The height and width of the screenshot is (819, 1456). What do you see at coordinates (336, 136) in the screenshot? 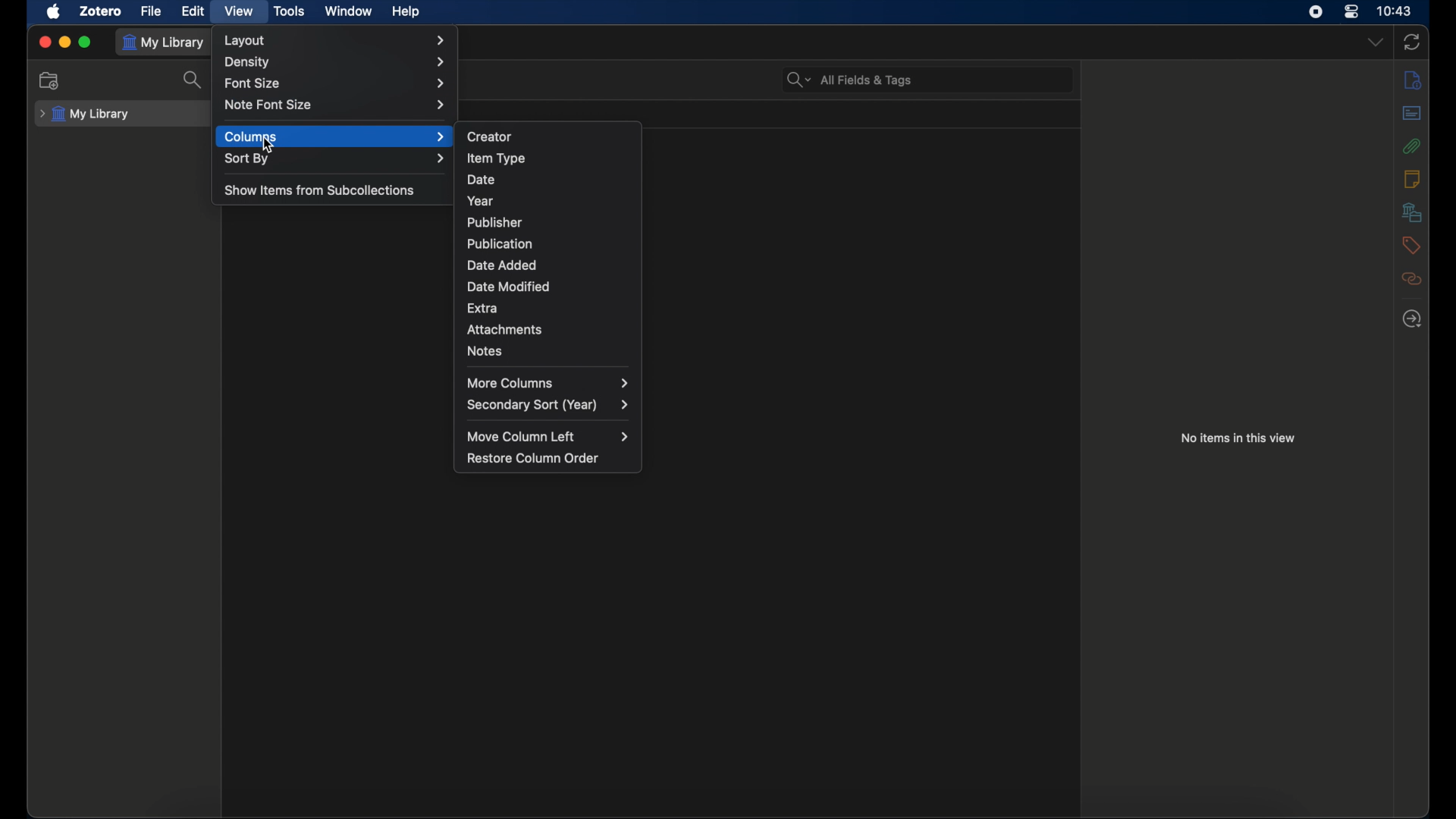
I see `columns` at bounding box center [336, 136].